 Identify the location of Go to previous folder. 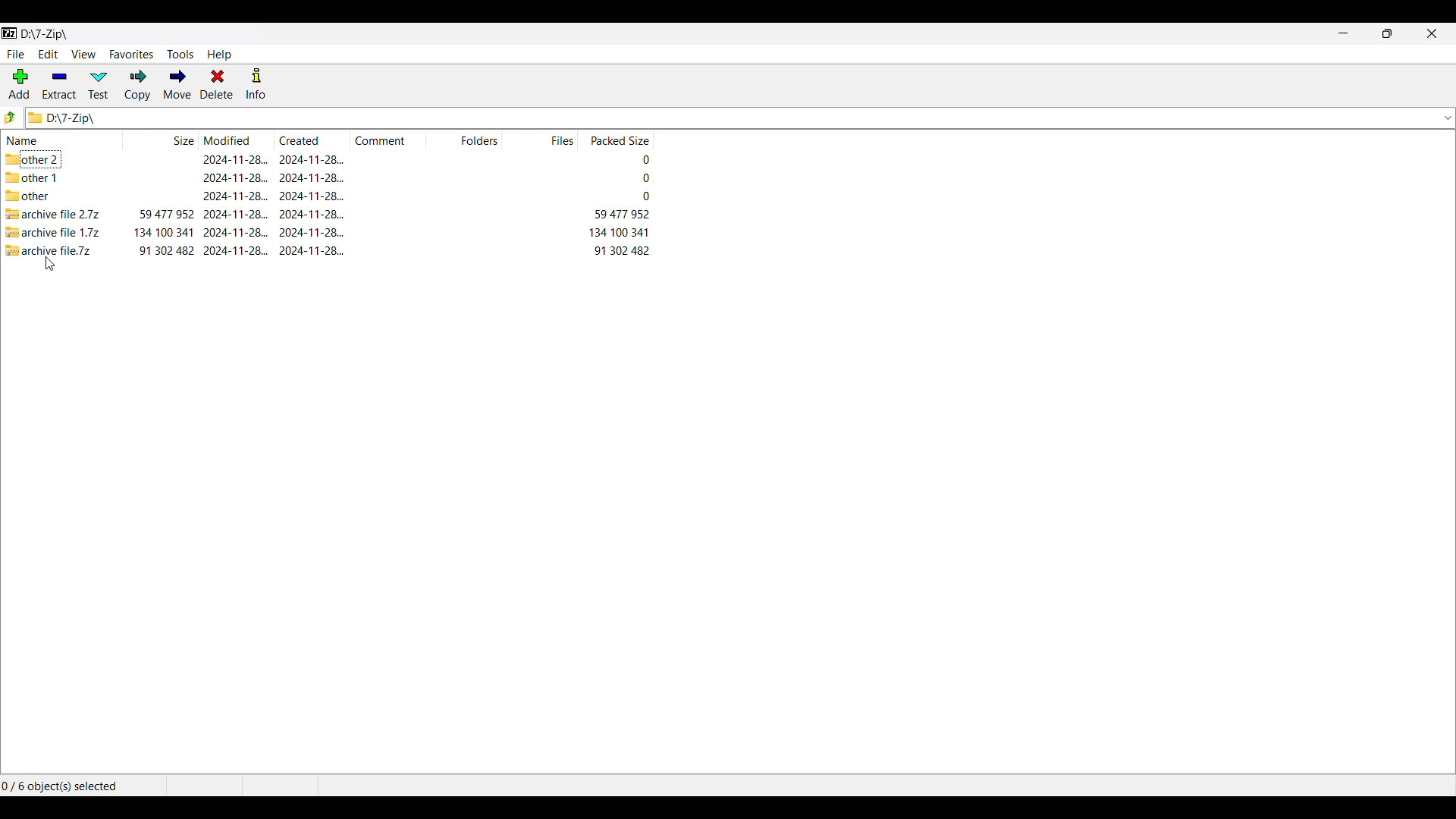
(10, 118).